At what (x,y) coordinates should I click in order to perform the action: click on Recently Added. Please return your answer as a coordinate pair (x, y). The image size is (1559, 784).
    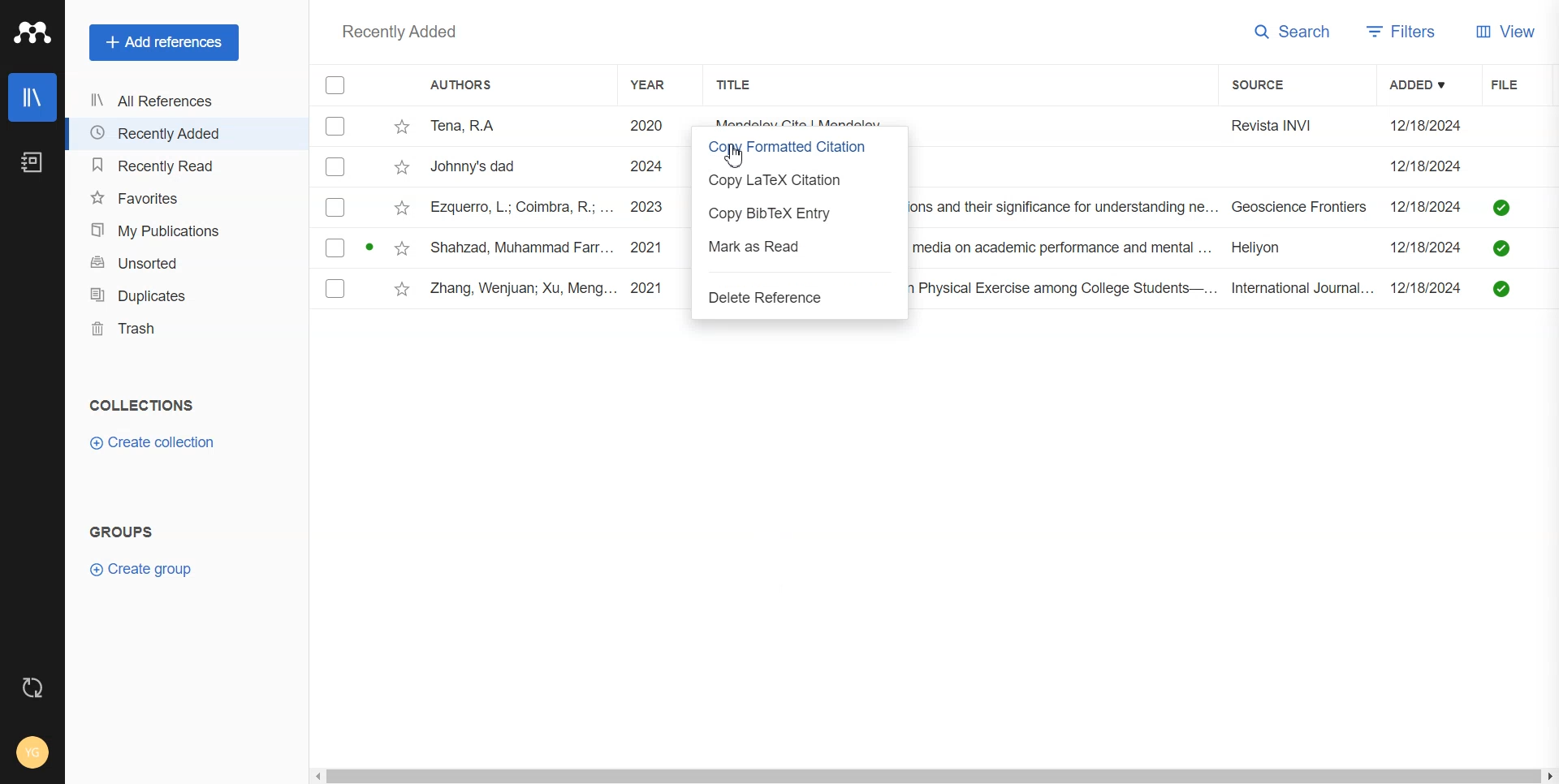
    Looking at the image, I should click on (183, 133).